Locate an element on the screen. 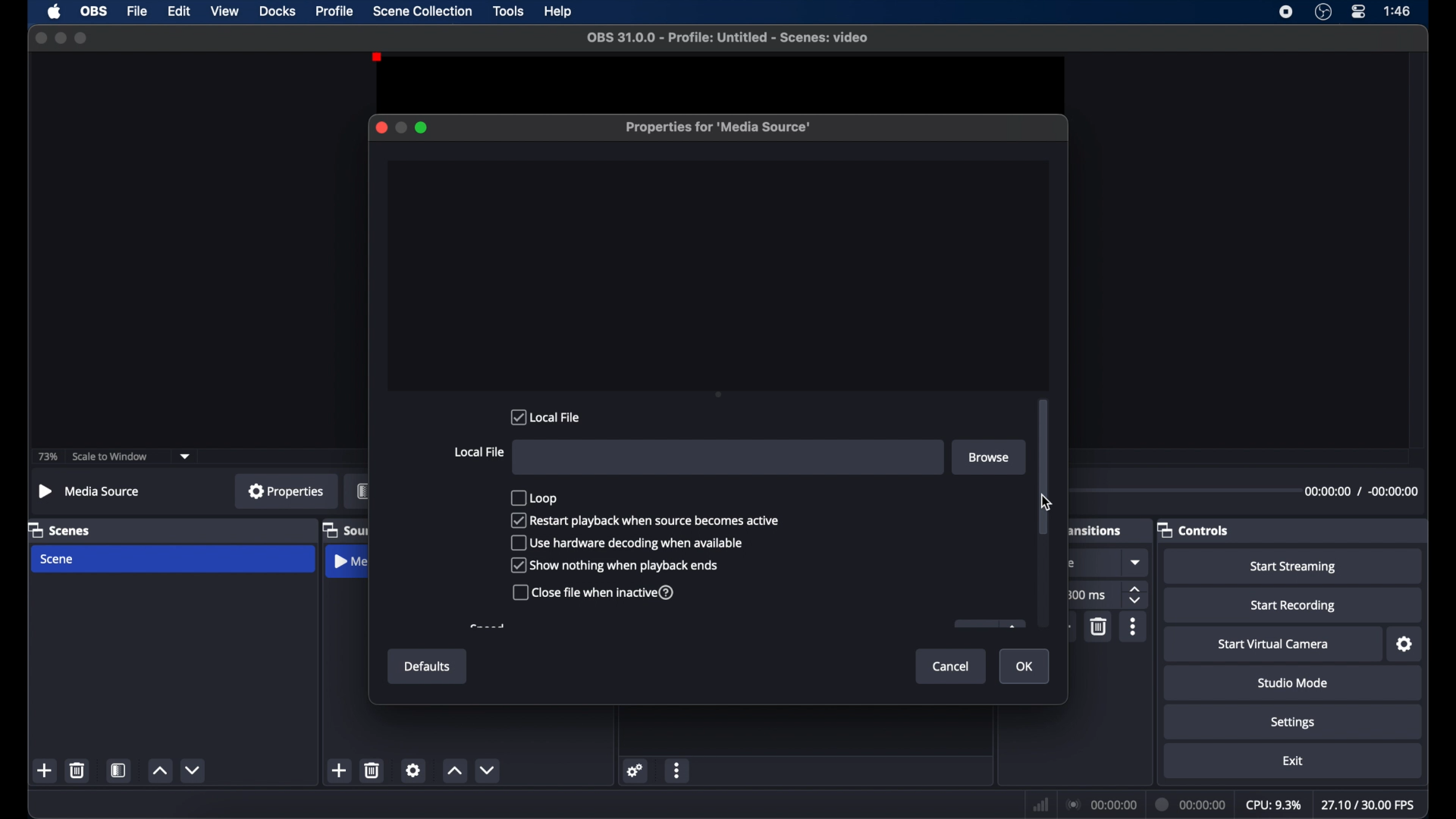  connection is located at coordinates (1101, 803).